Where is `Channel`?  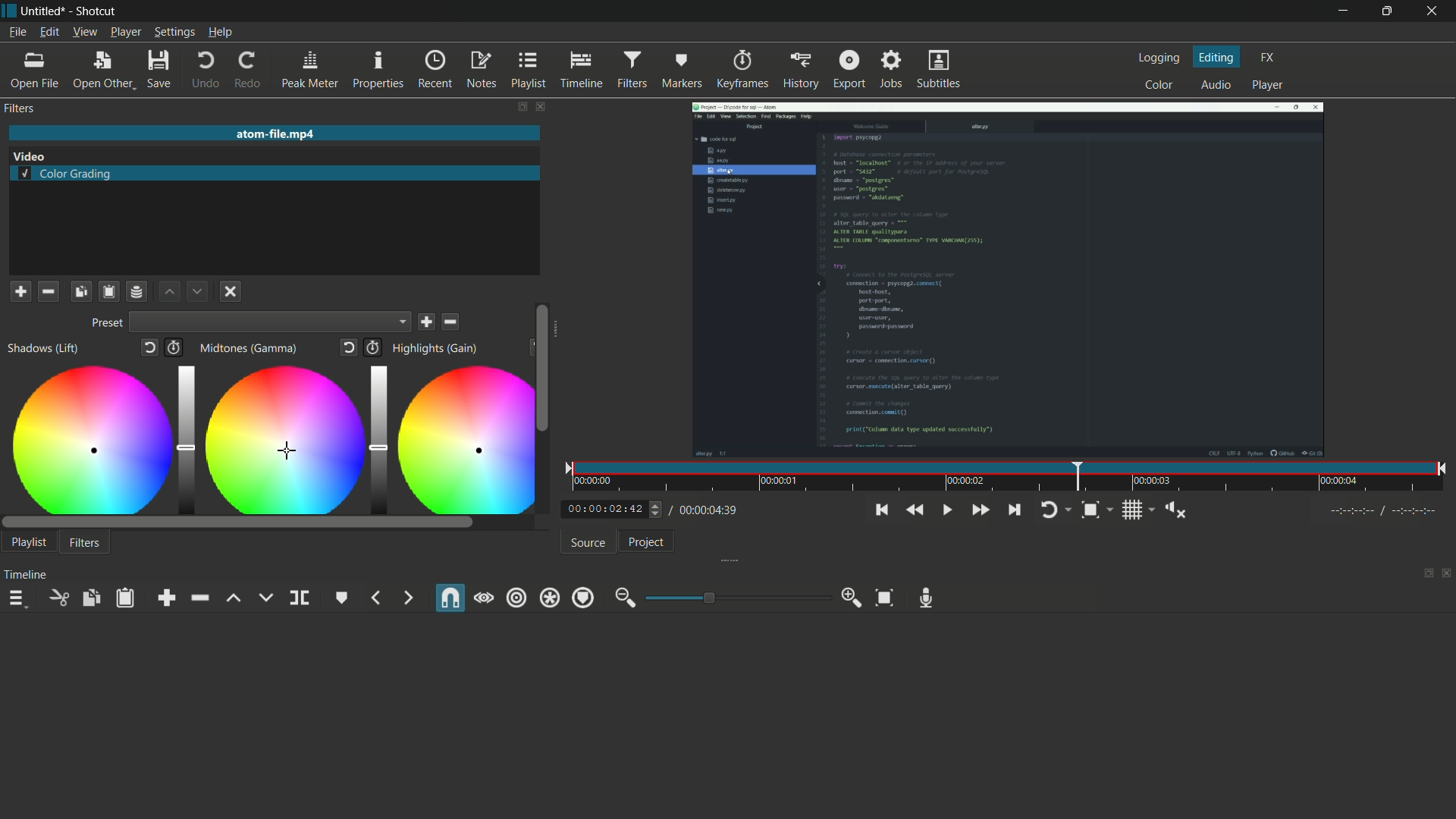 Channel is located at coordinates (137, 291).